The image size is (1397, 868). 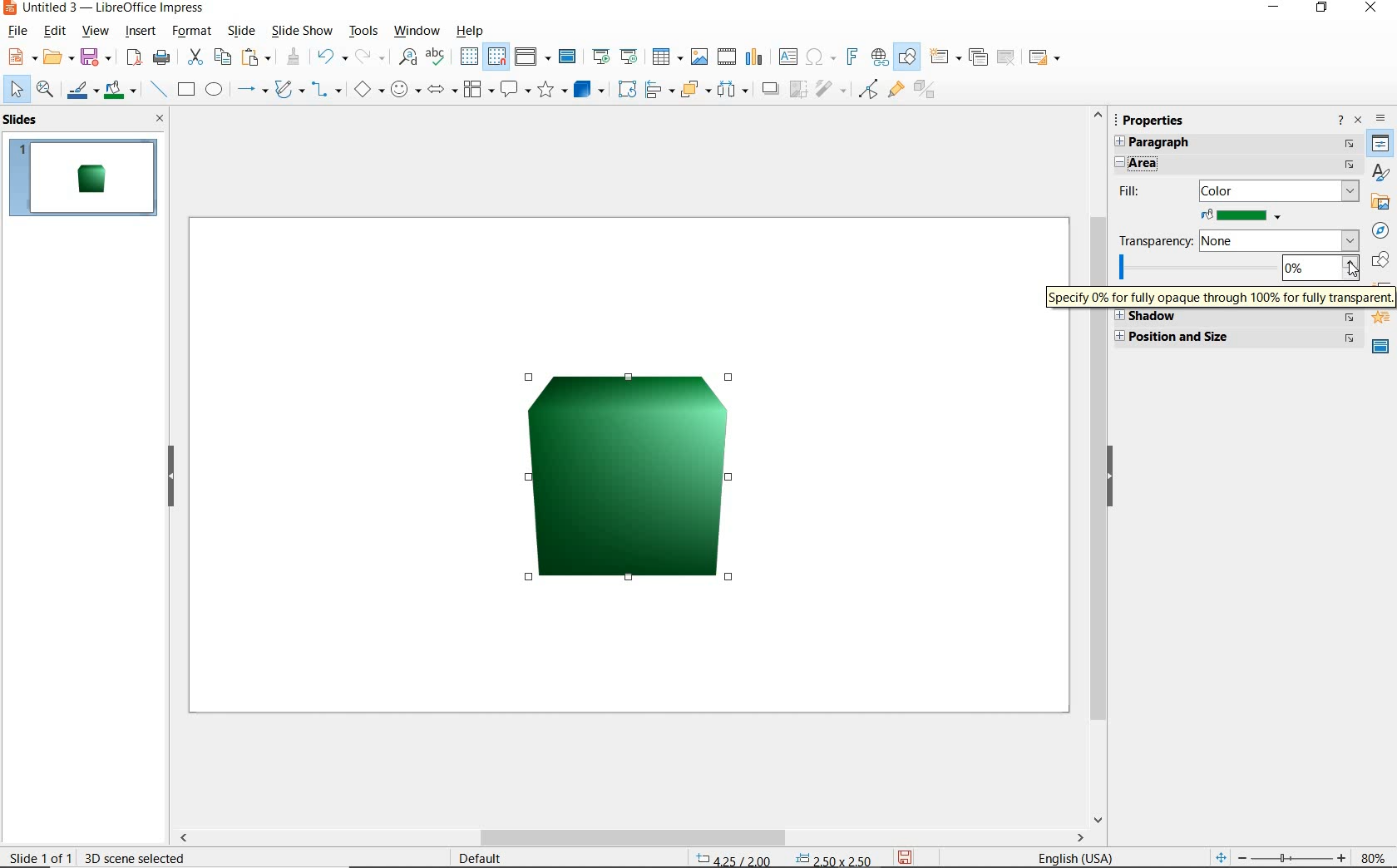 What do you see at coordinates (1045, 57) in the screenshot?
I see `slide layout` at bounding box center [1045, 57].